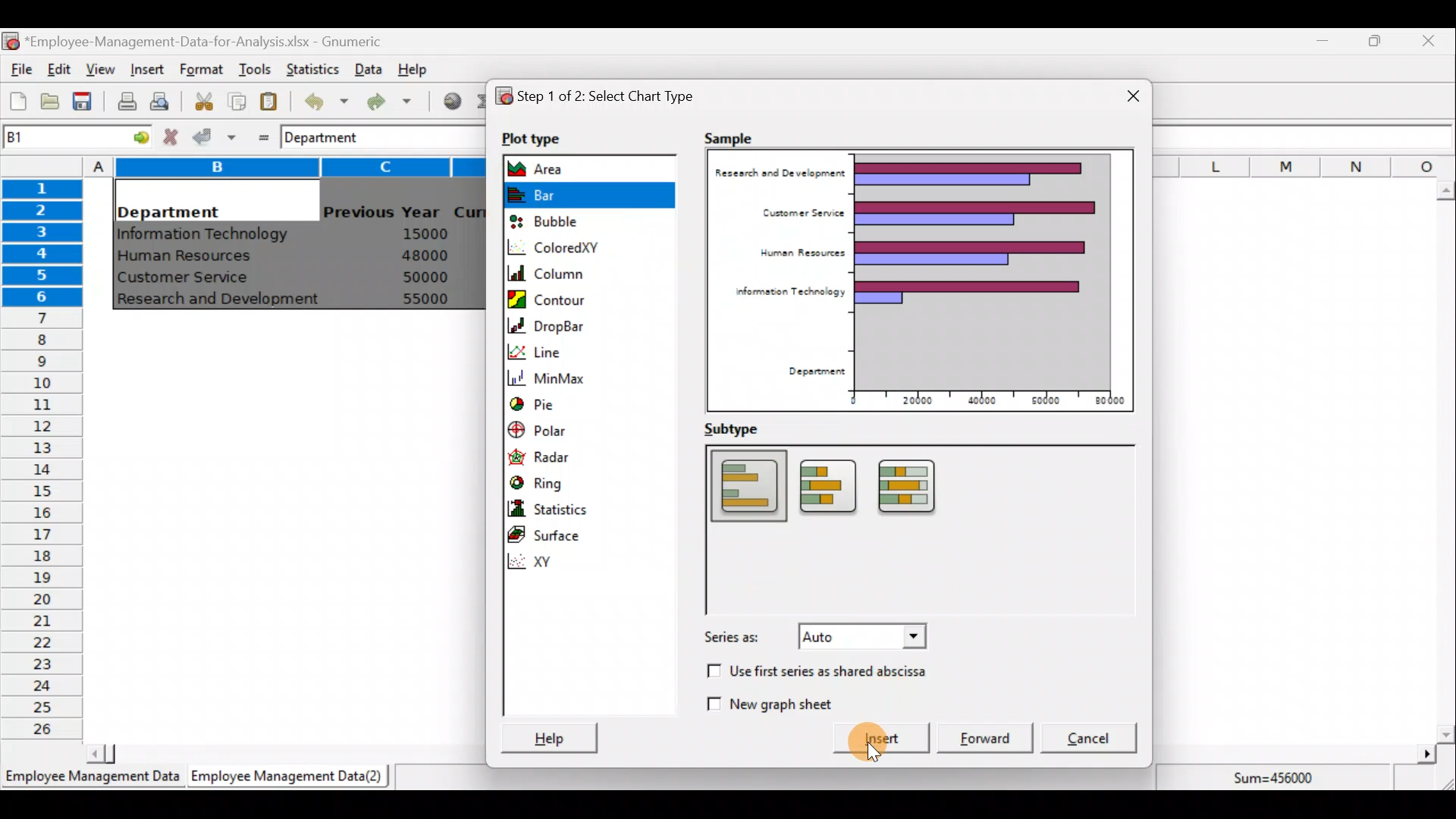  I want to click on Research and Development, so click(224, 301).